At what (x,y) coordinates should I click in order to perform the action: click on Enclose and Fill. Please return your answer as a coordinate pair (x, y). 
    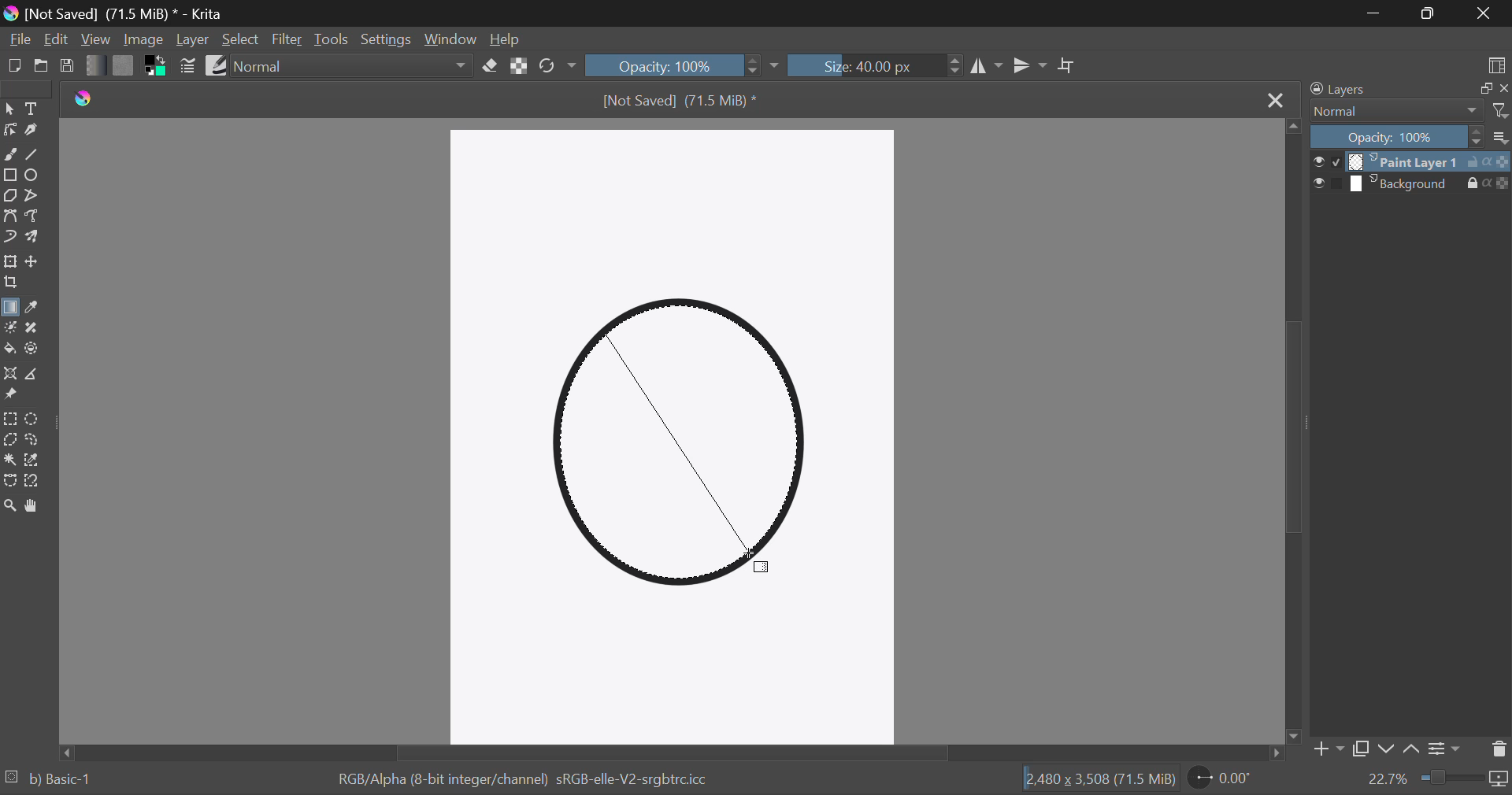
    Looking at the image, I should click on (37, 349).